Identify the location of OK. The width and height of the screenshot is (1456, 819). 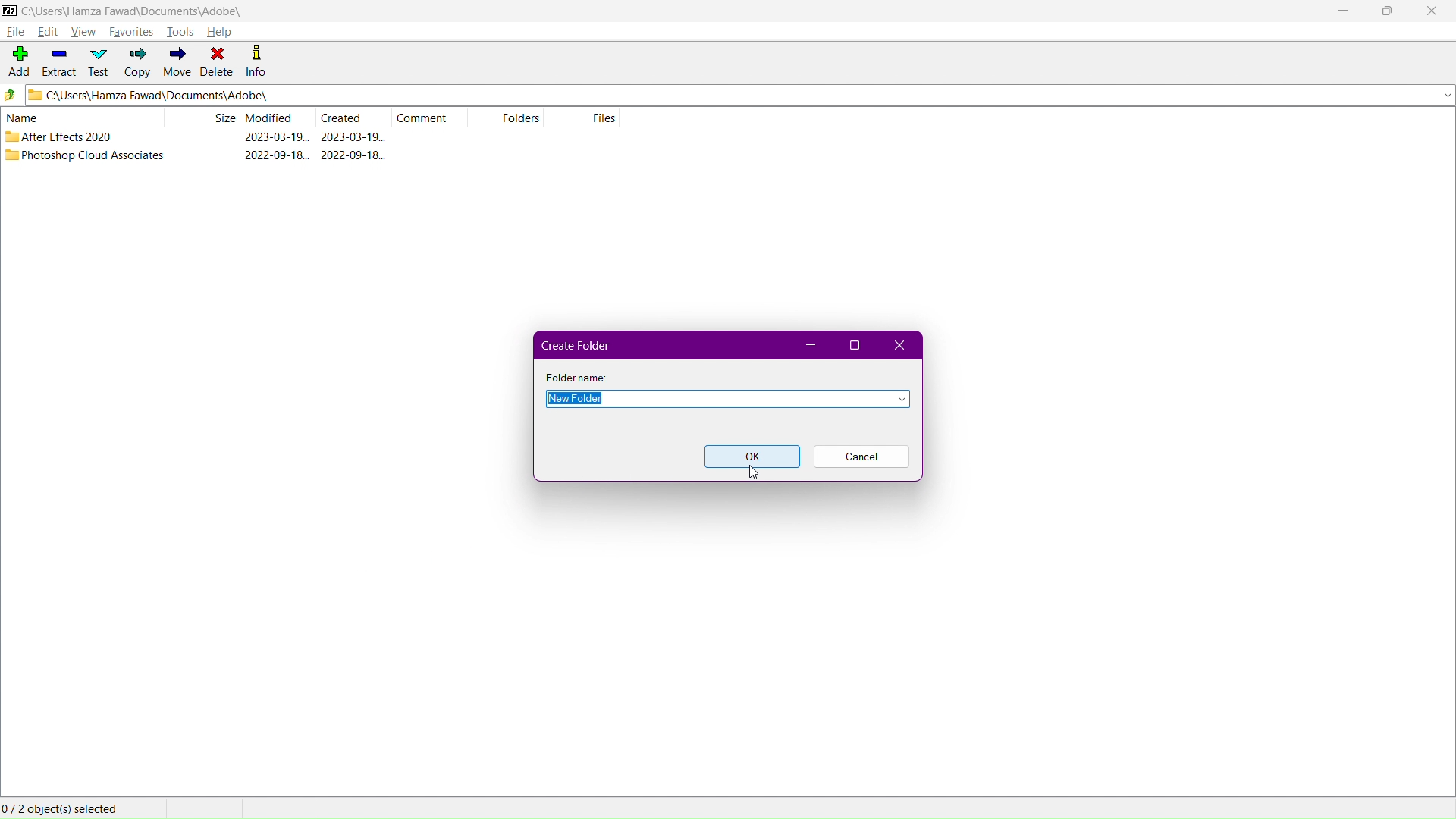
(752, 457).